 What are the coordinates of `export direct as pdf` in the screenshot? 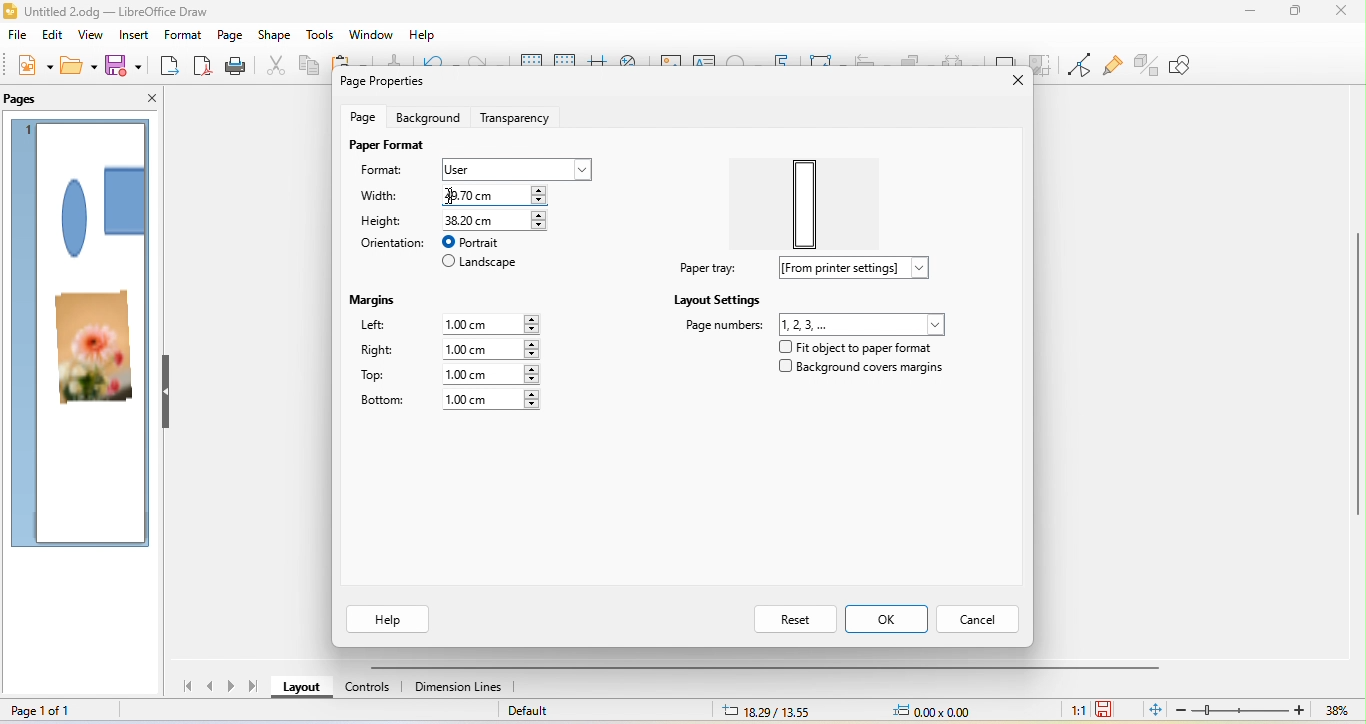 It's located at (205, 66).